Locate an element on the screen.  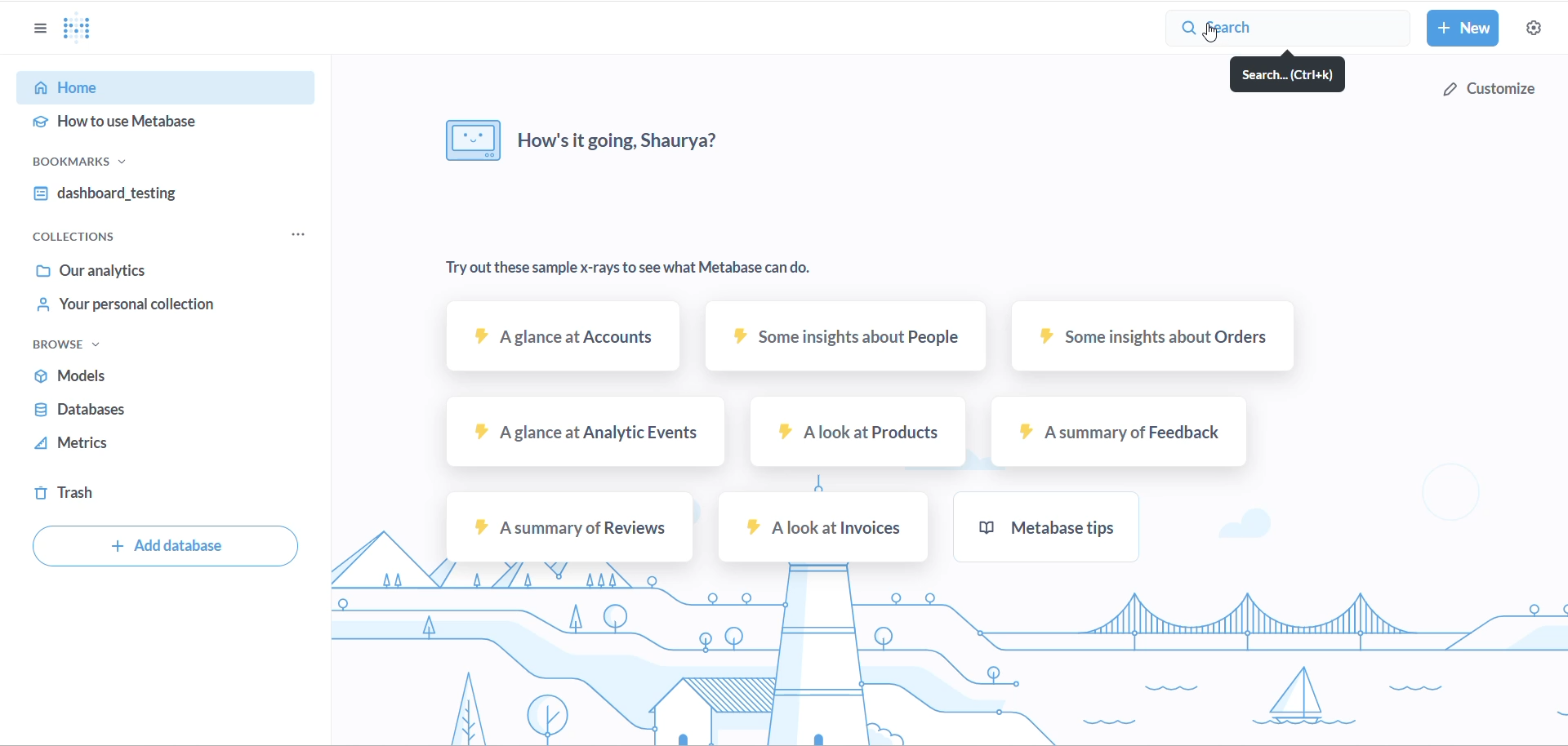
how's it going,Shaurya? is located at coordinates (641, 142).